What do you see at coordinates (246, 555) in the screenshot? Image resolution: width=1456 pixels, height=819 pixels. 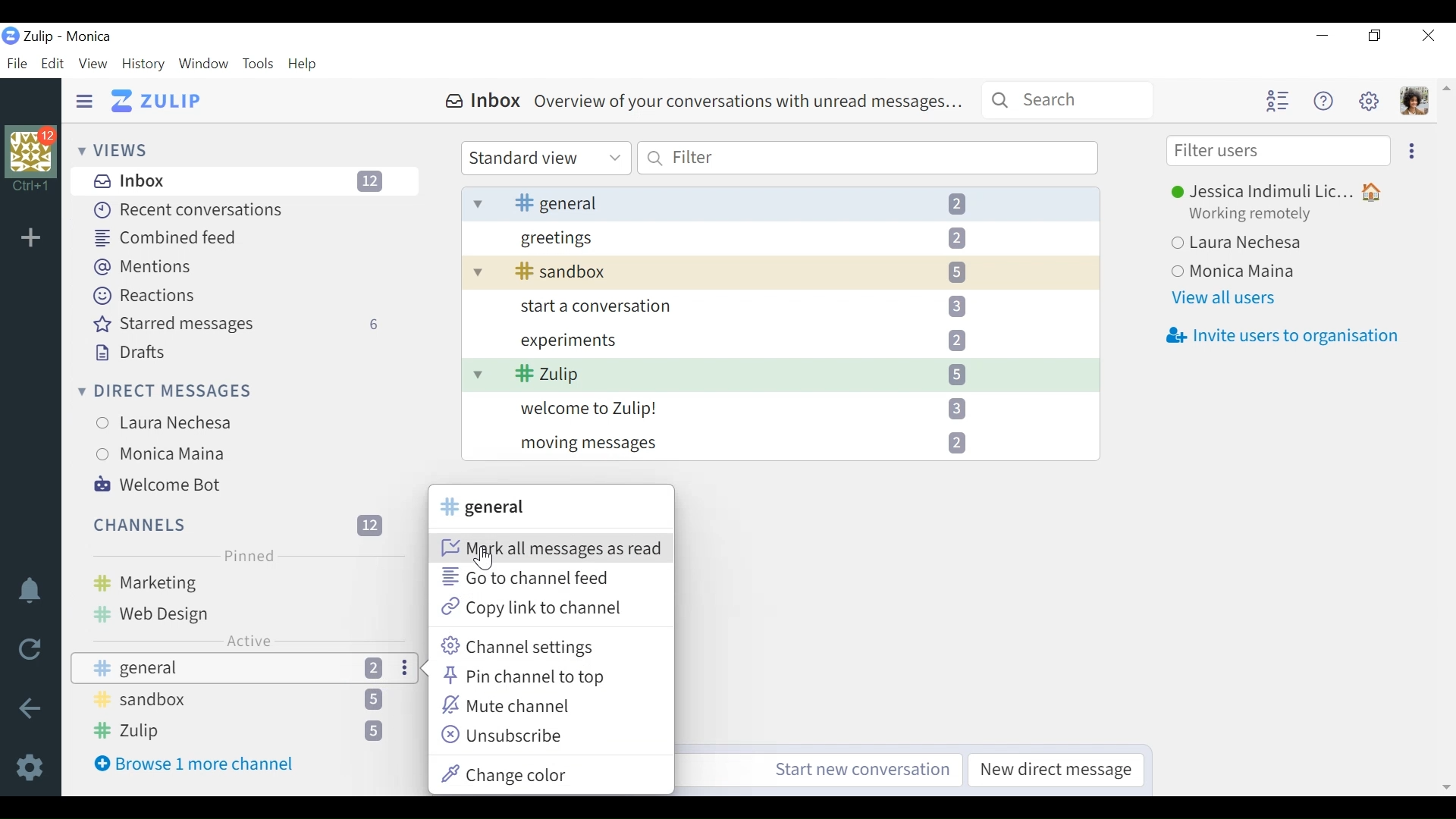 I see `Pinned` at bounding box center [246, 555].